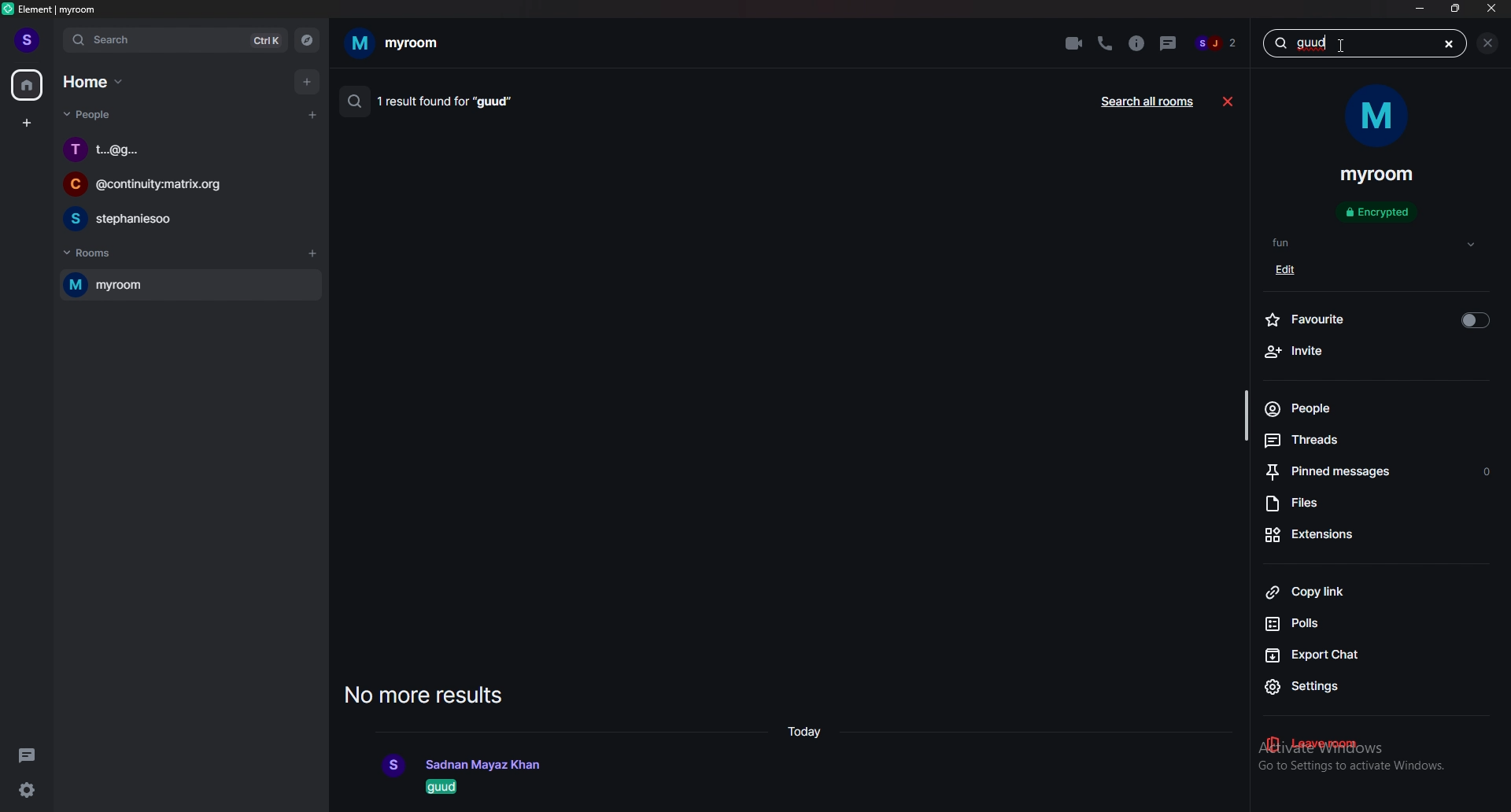 The height and width of the screenshot is (812, 1511). Describe the element at coordinates (187, 219) in the screenshot. I see `chat` at that location.